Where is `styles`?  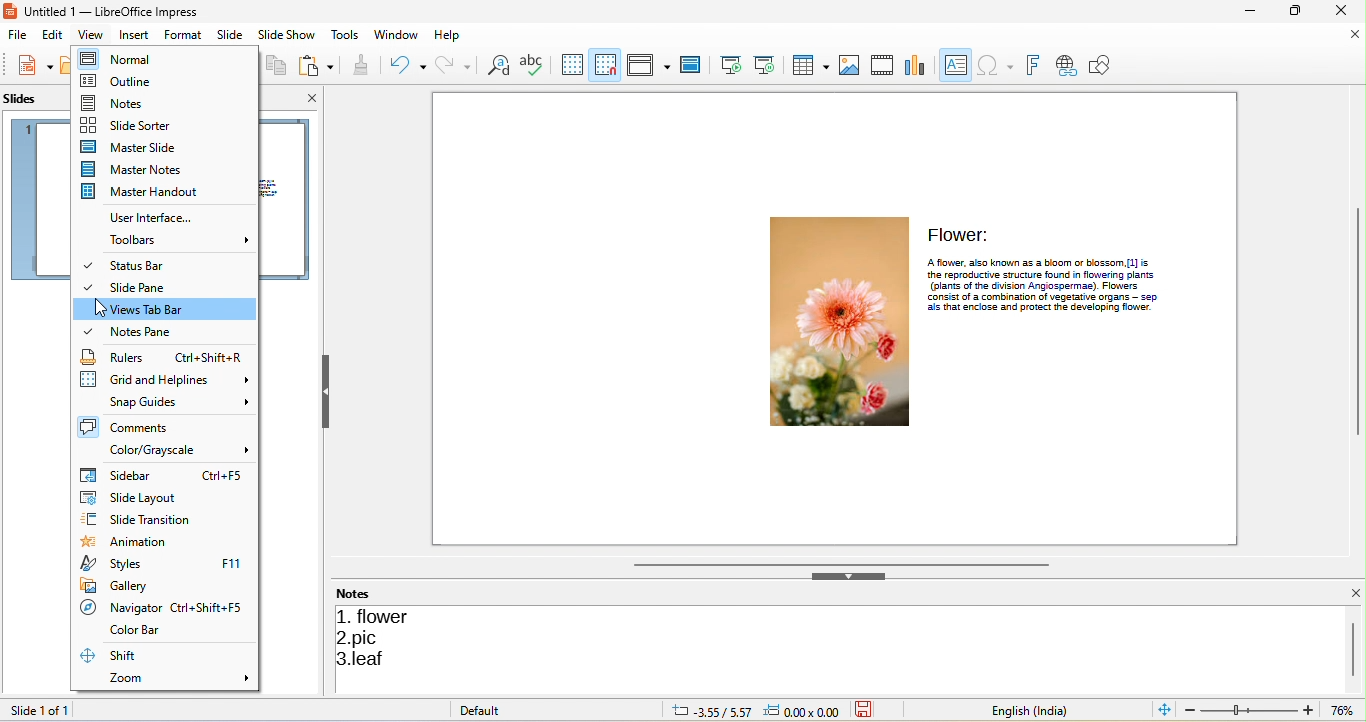 styles is located at coordinates (167, 563).